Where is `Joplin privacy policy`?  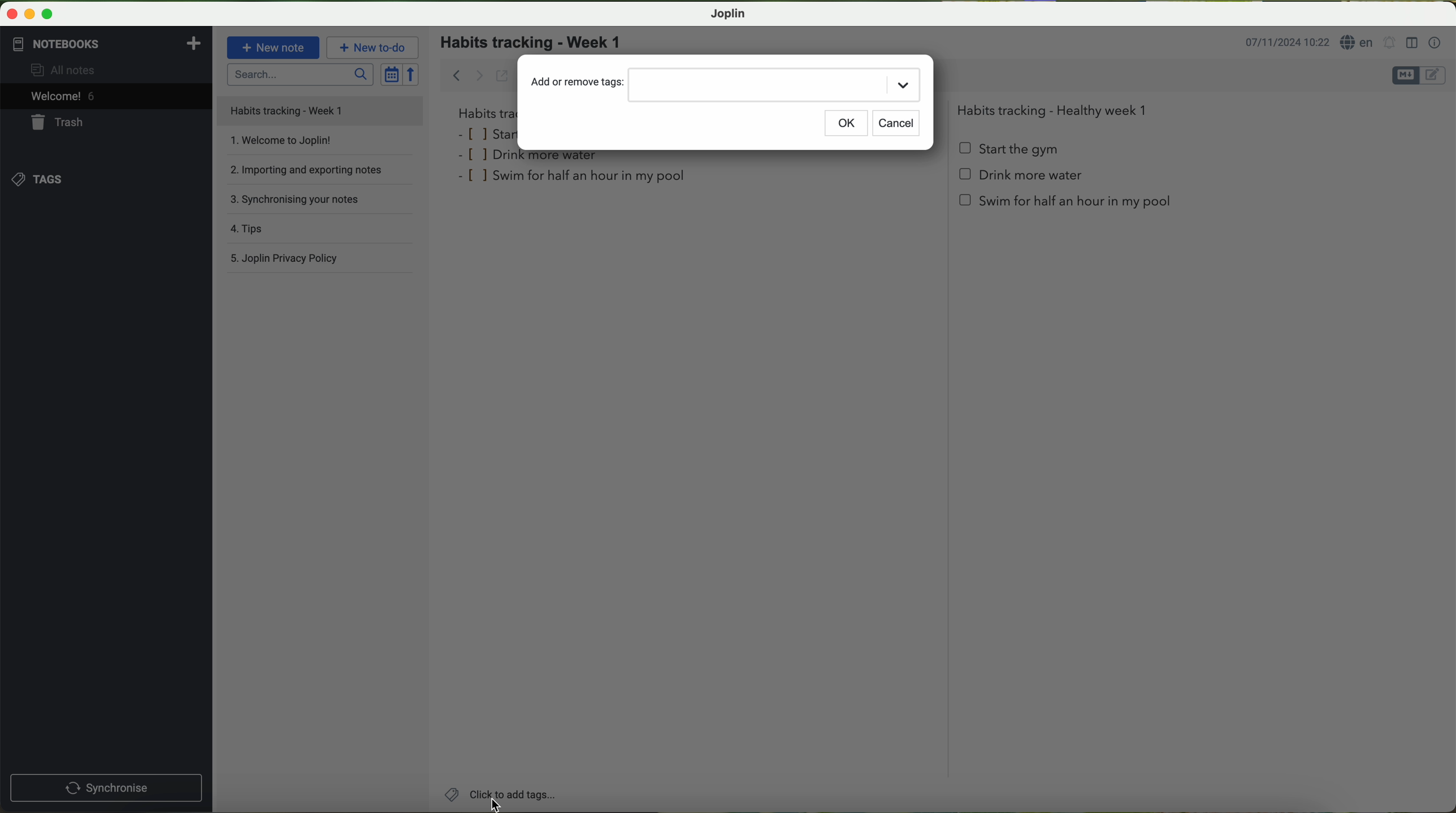 Joplin privacy policy is located at coordinates (321, 260).